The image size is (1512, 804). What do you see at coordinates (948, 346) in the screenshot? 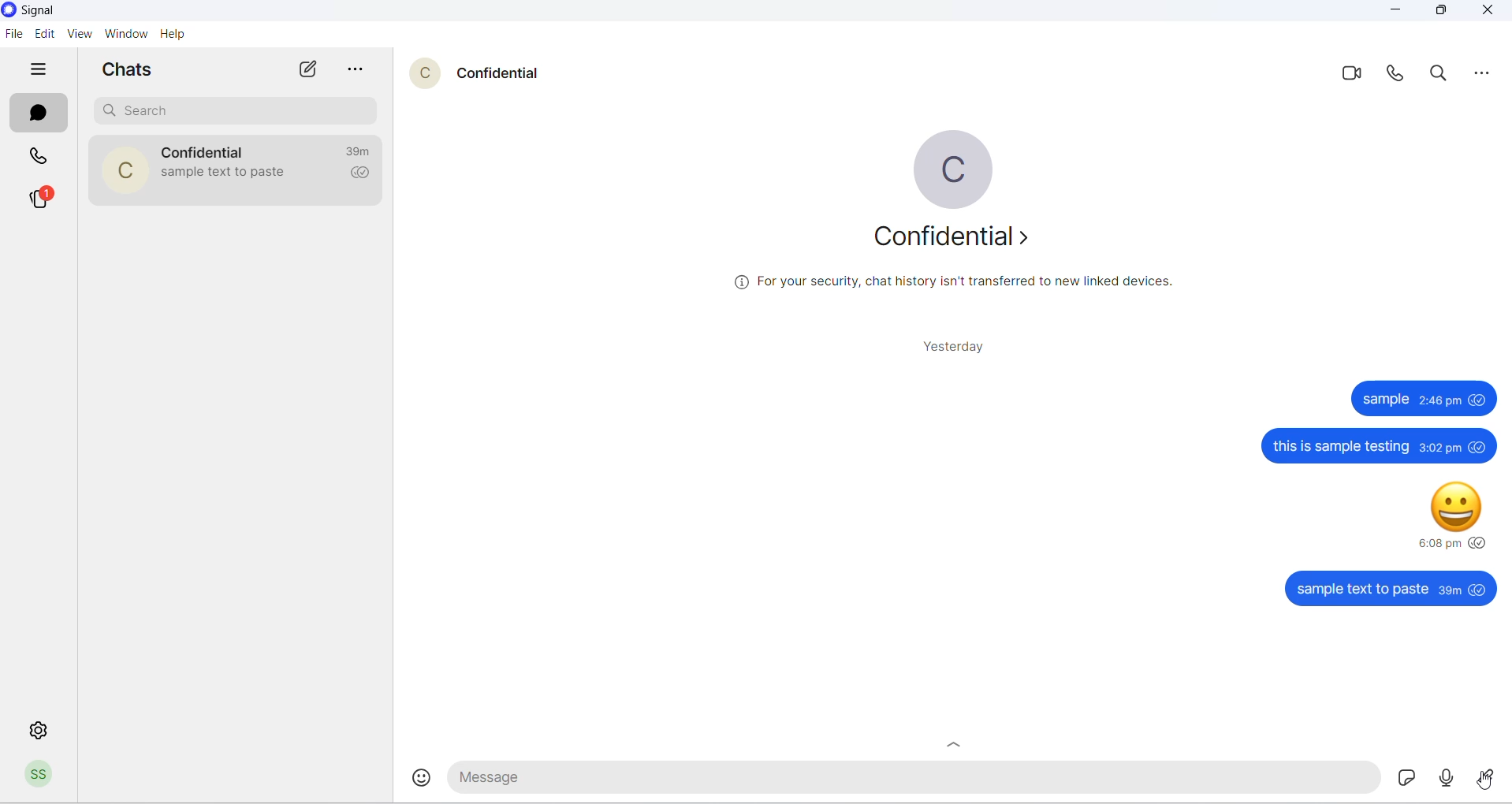
I see `yesterday ` at bounding box center [948, 346].